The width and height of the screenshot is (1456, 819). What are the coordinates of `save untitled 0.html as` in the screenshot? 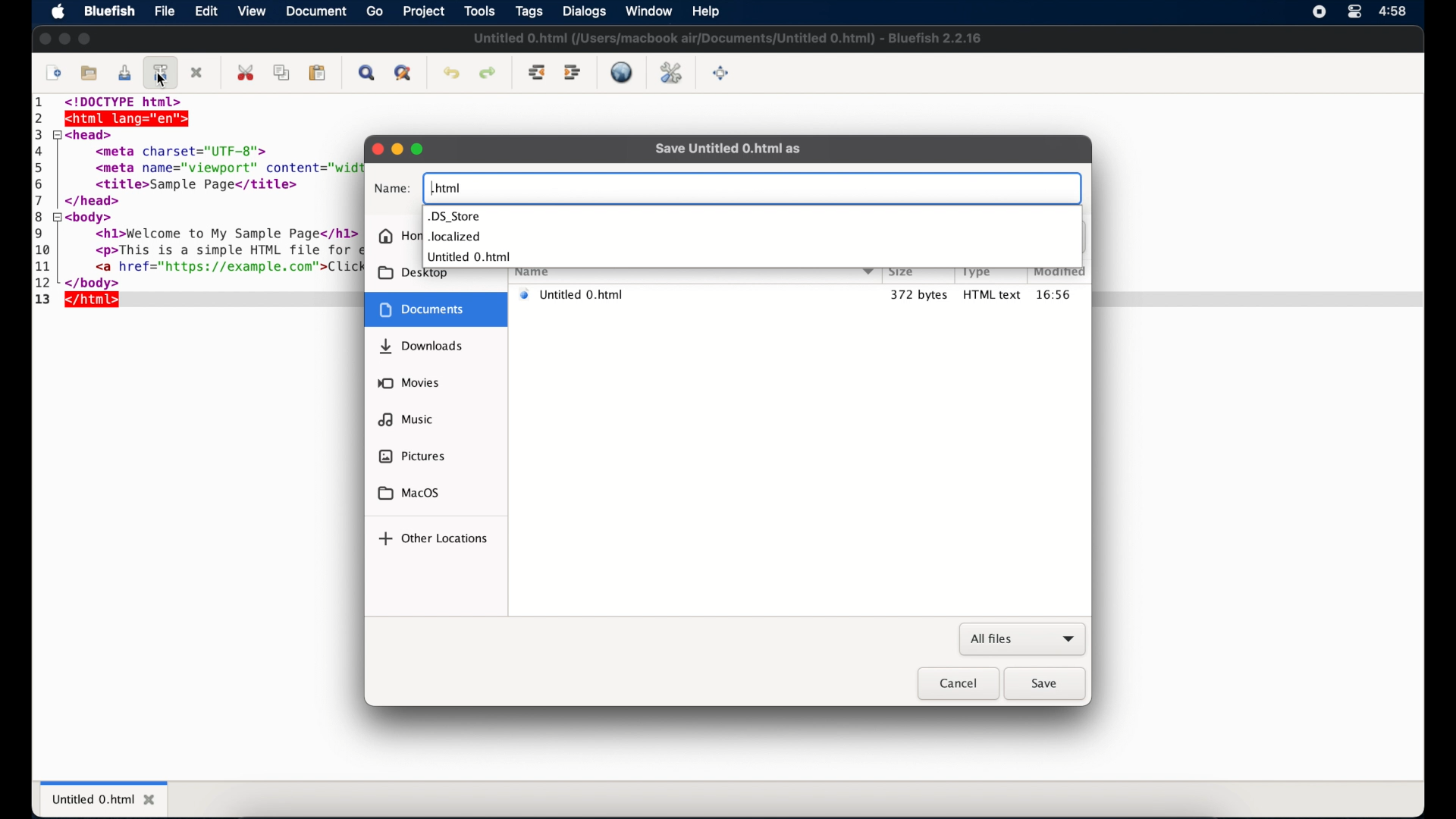 It's located at (728, 149).